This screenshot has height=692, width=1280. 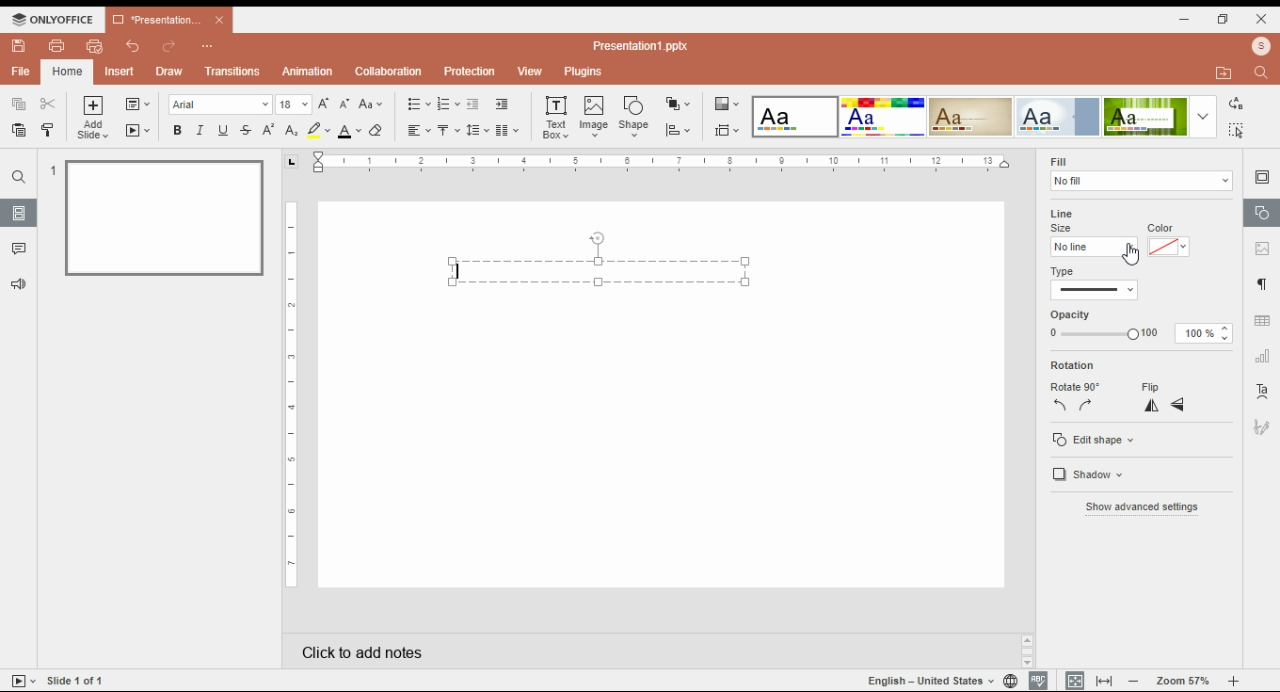 I want to click on home, so click(x=66, y=71).